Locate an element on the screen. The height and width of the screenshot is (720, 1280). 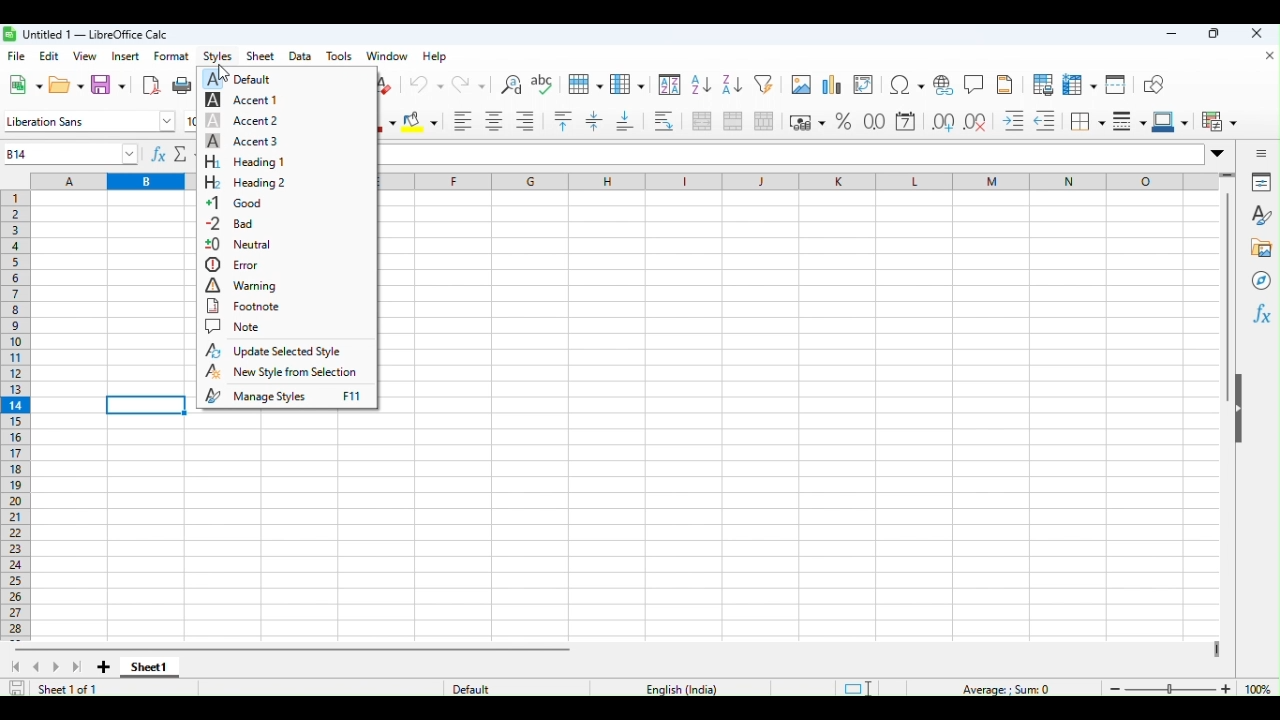
Save library is located at coordinates (108, 84).